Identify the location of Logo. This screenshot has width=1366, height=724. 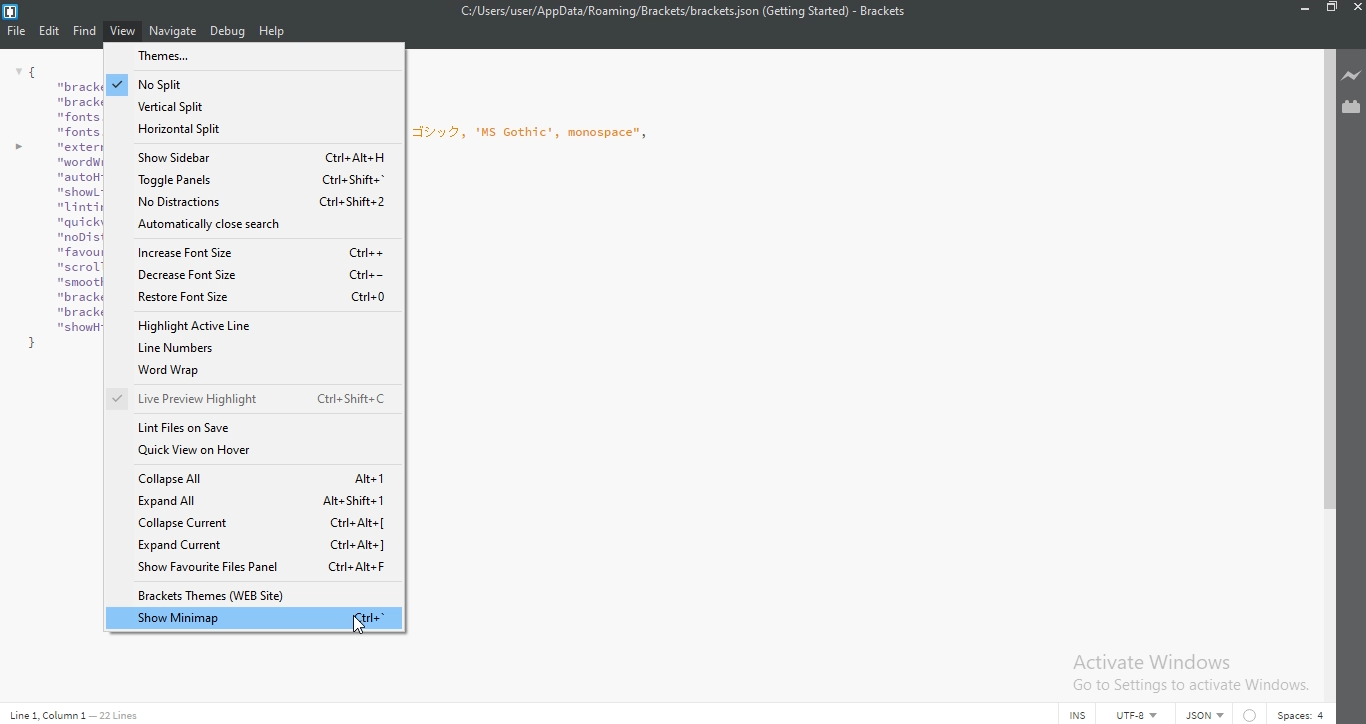
(11, 11).